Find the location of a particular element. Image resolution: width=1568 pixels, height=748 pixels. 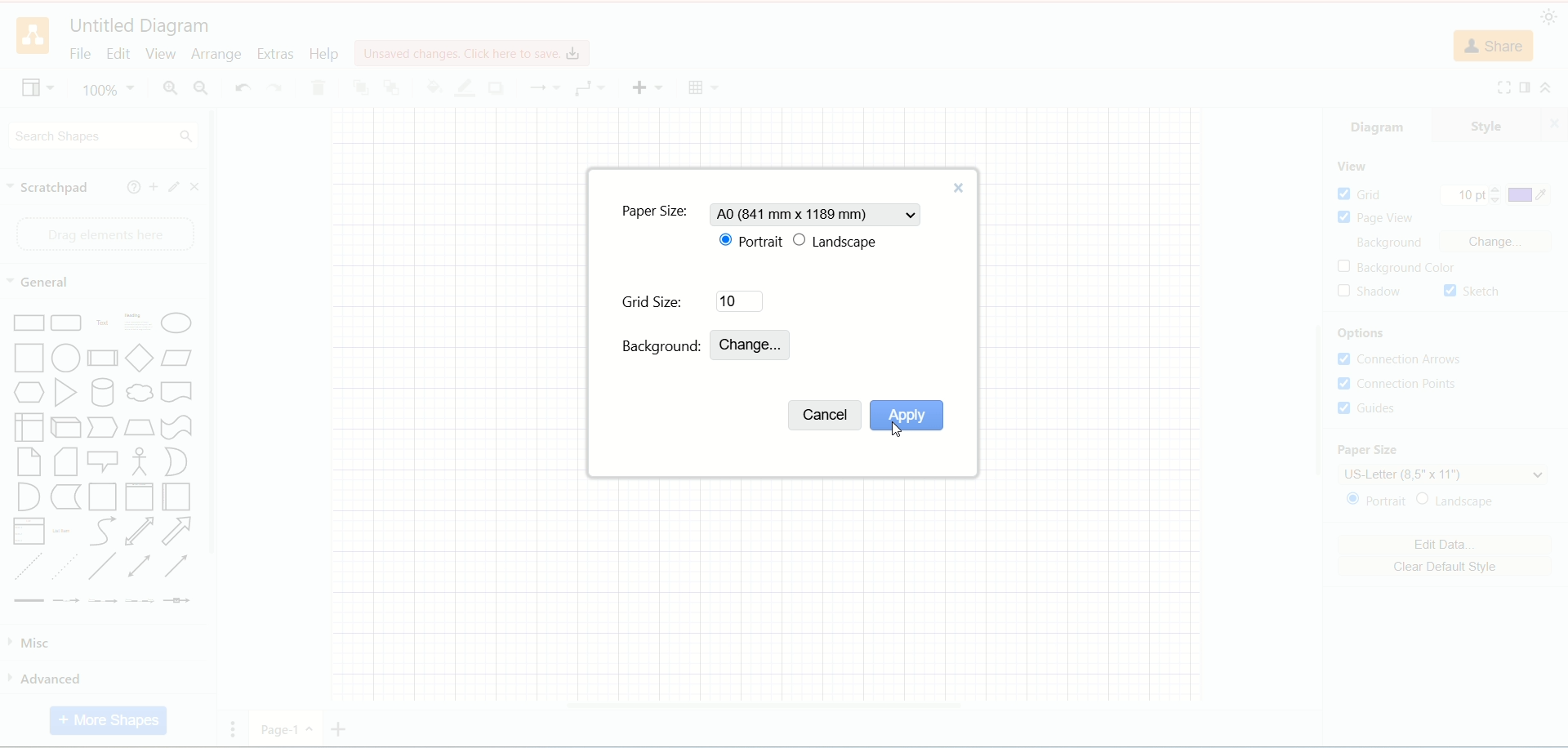

cursor is located at coordinates (901, 431).